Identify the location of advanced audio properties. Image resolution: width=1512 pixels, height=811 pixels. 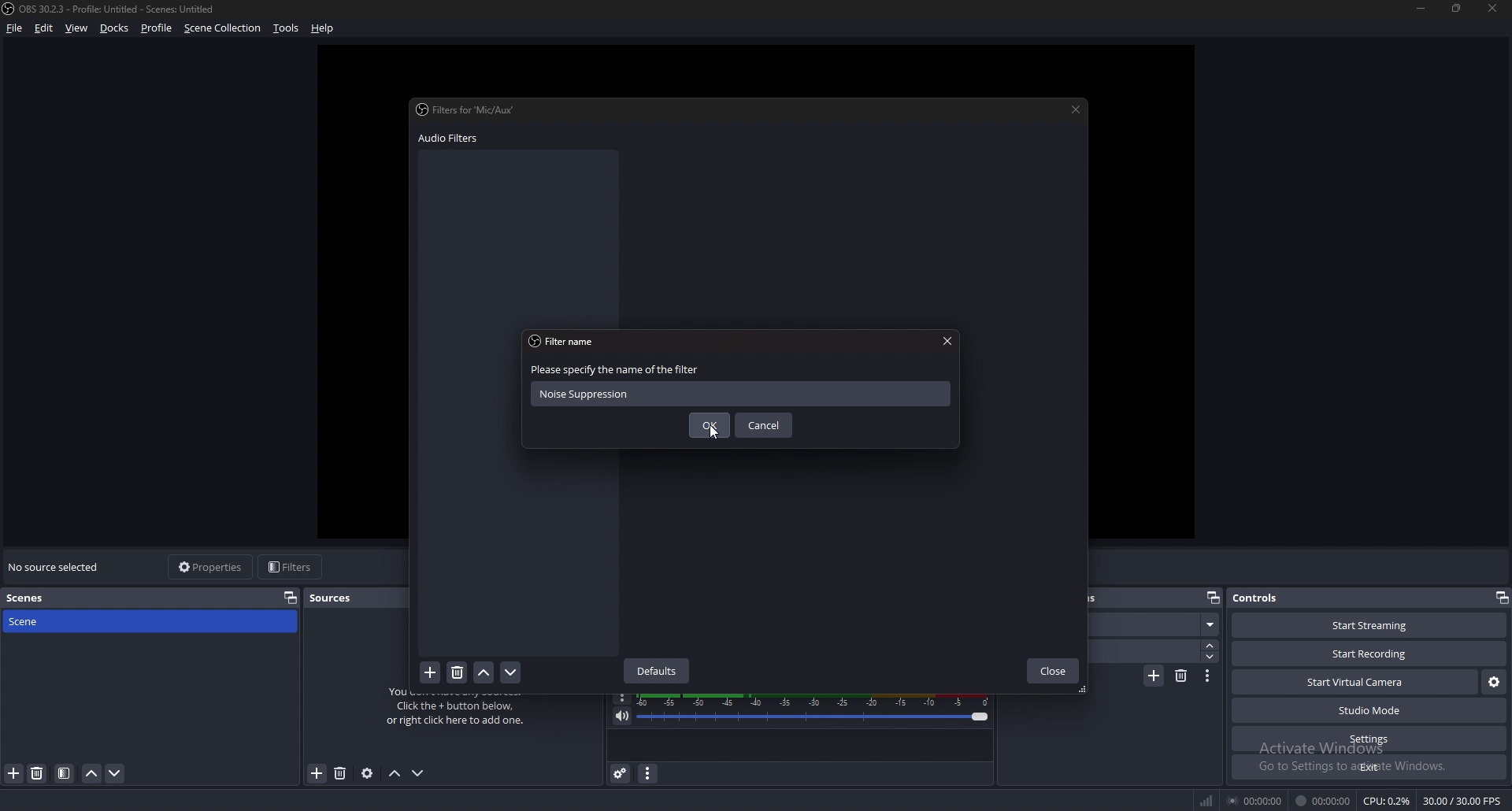
(621, 773).